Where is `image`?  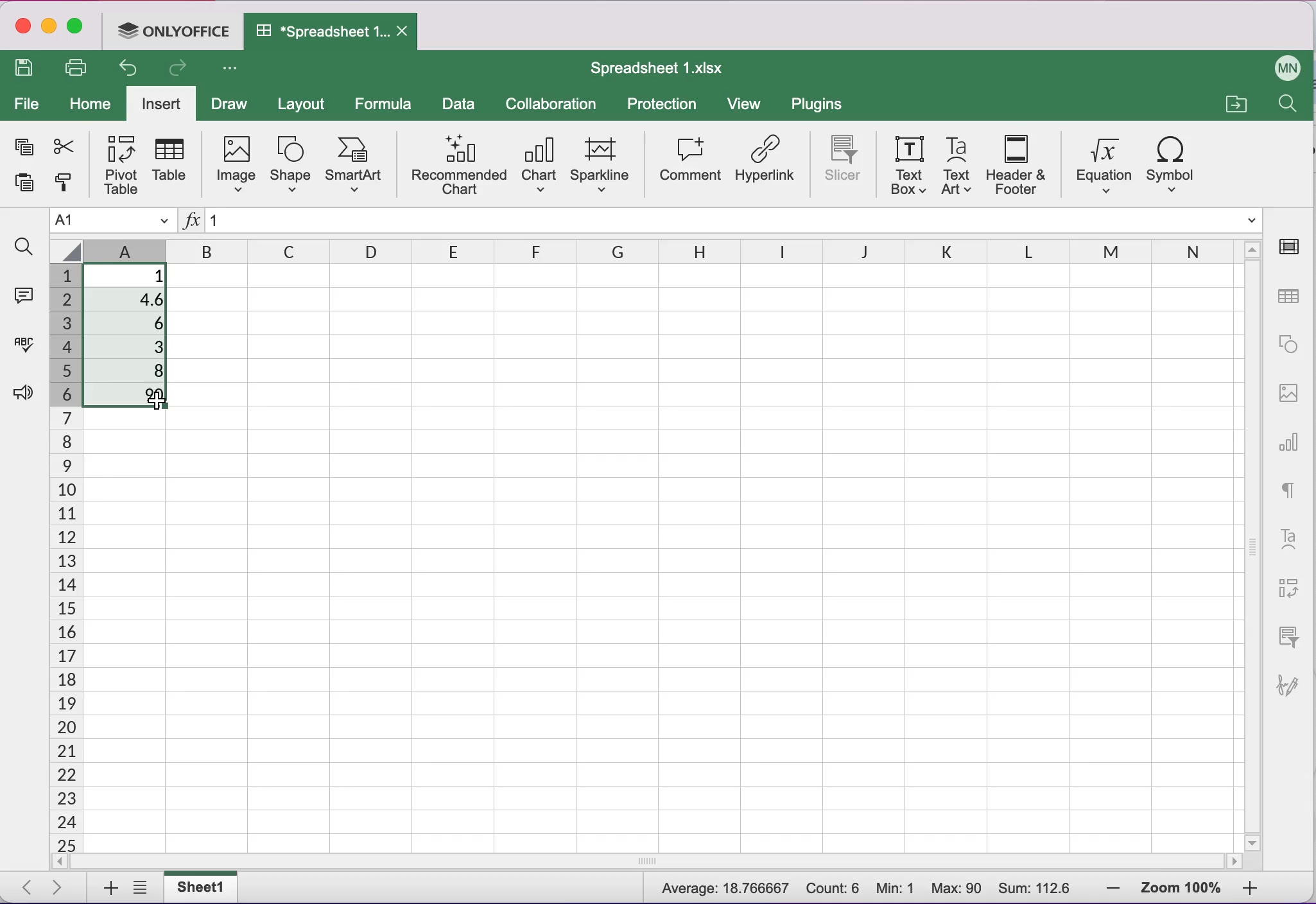 image is located at coordinates (1290, 392).